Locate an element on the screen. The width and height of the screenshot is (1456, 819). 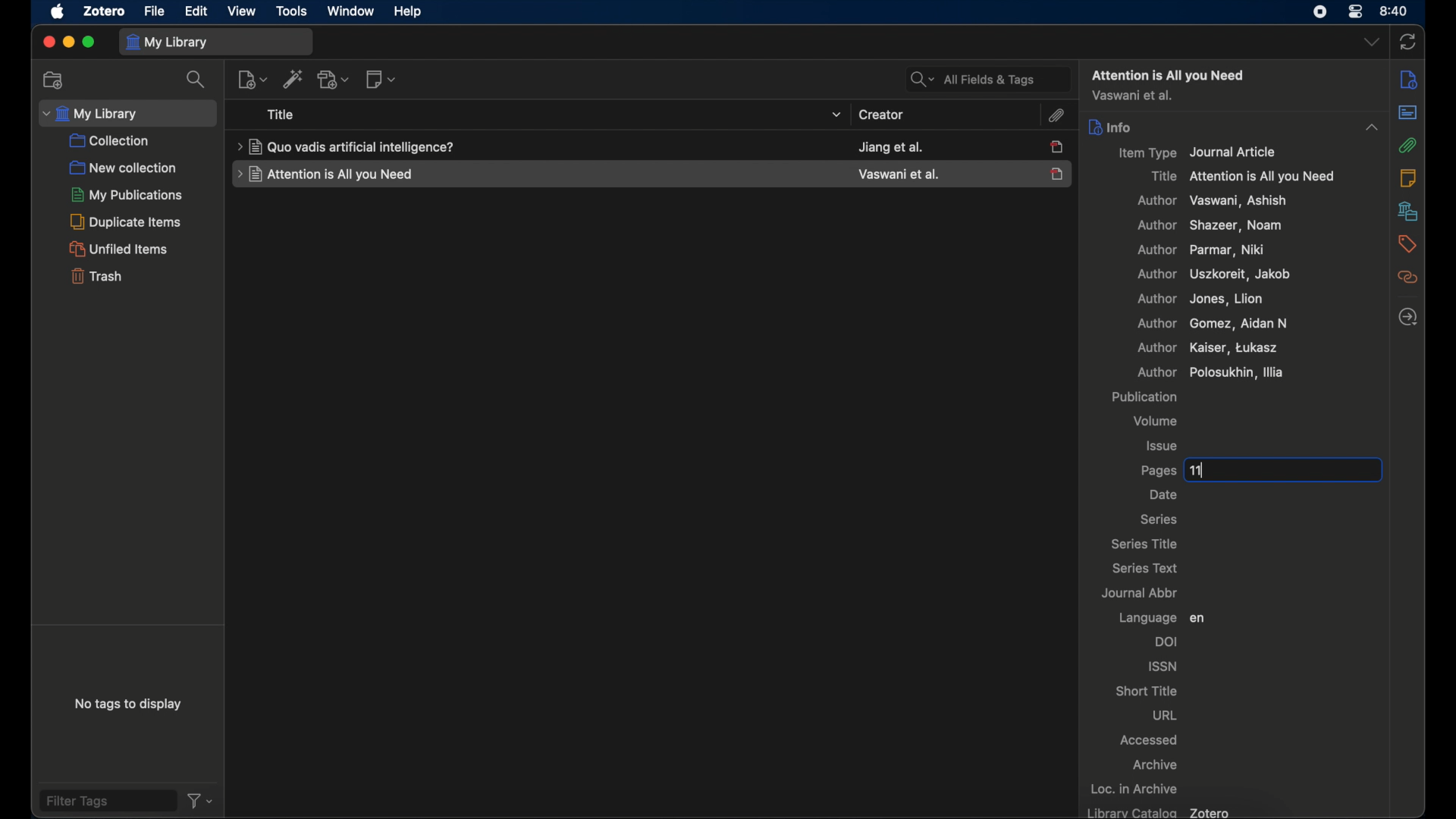
my library is located at coordinates (216, 41).